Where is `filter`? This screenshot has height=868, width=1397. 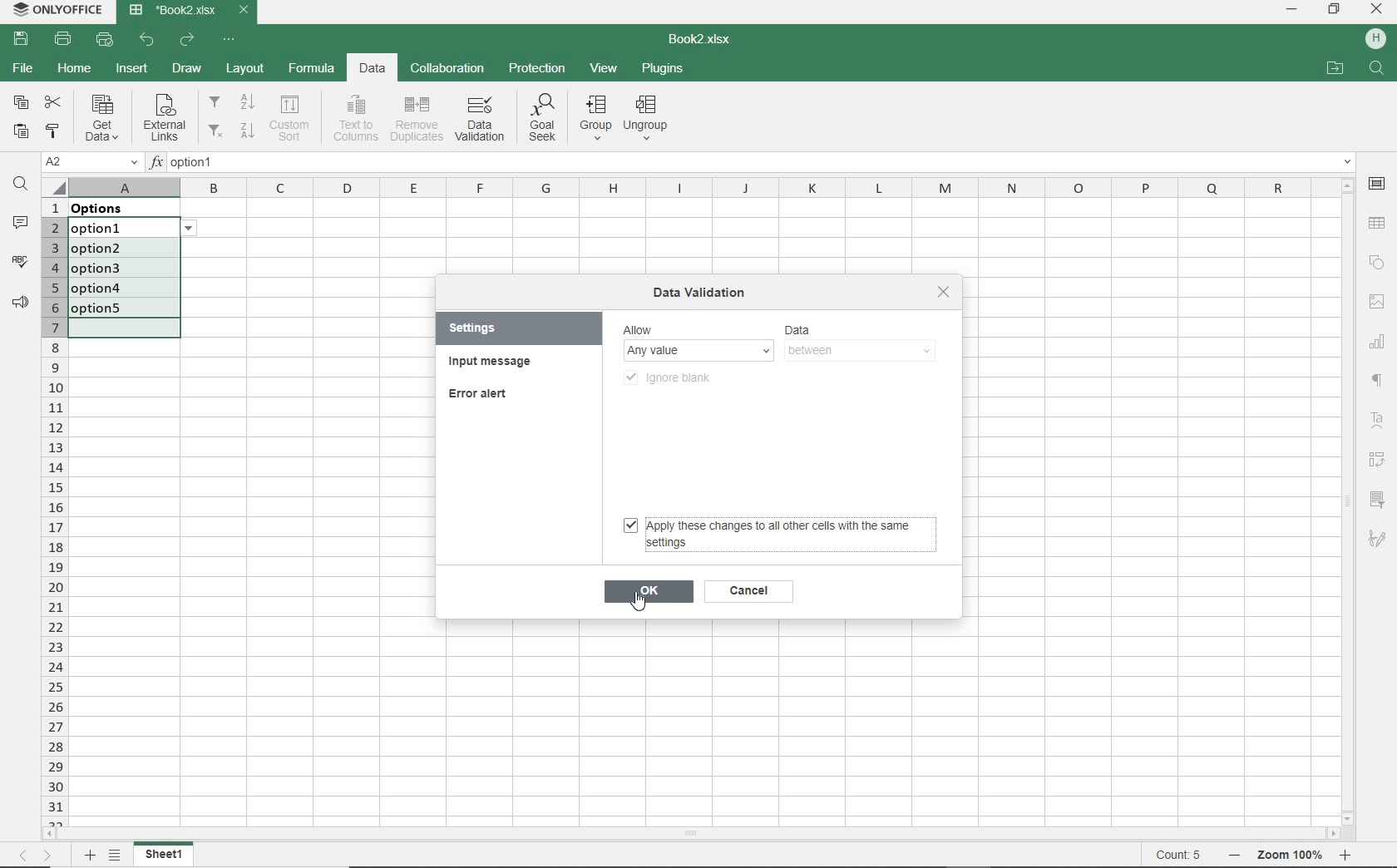 filter is located at coordinates (1380, 496).